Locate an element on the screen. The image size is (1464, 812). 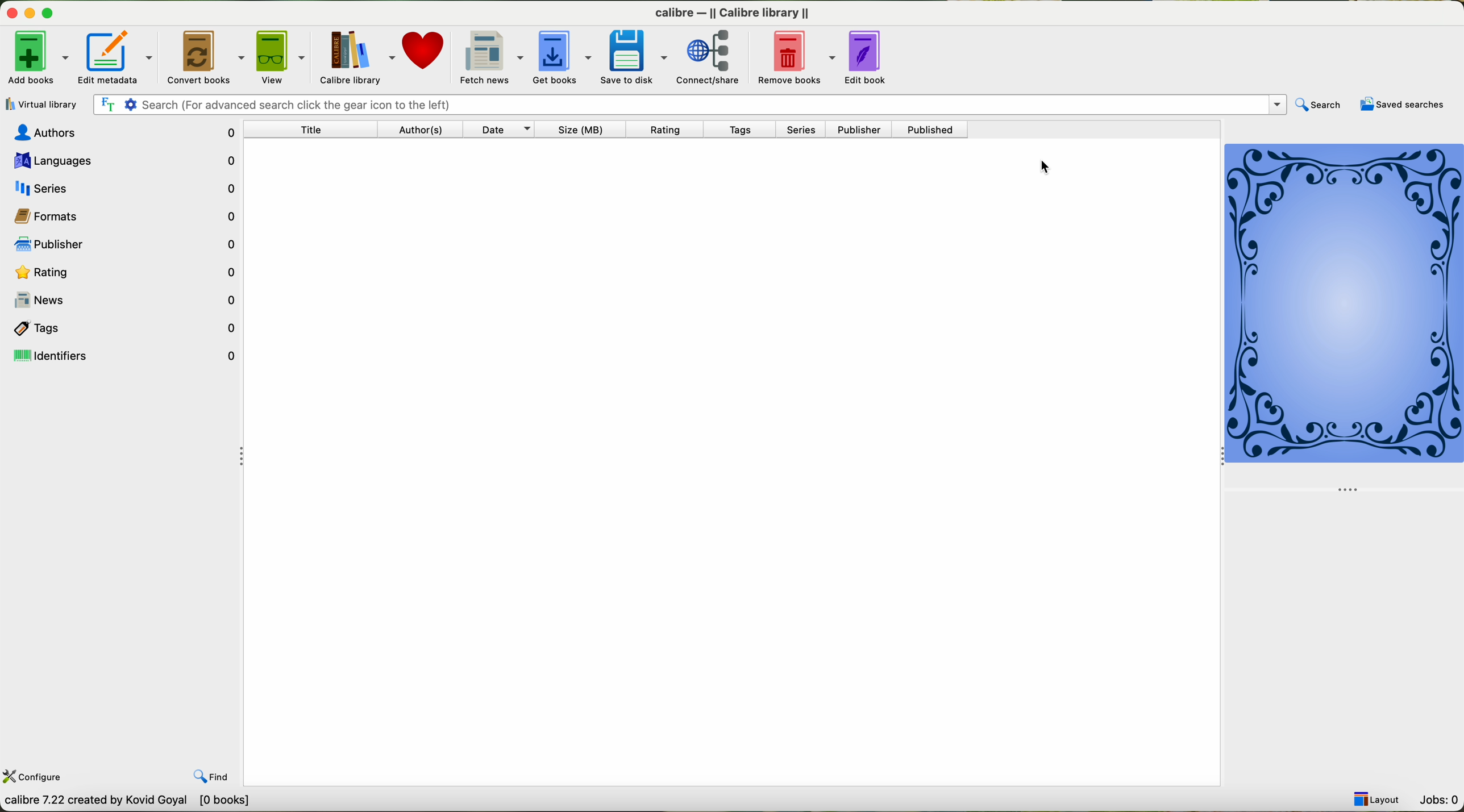
save to disk is located at coordinates (638, 57).